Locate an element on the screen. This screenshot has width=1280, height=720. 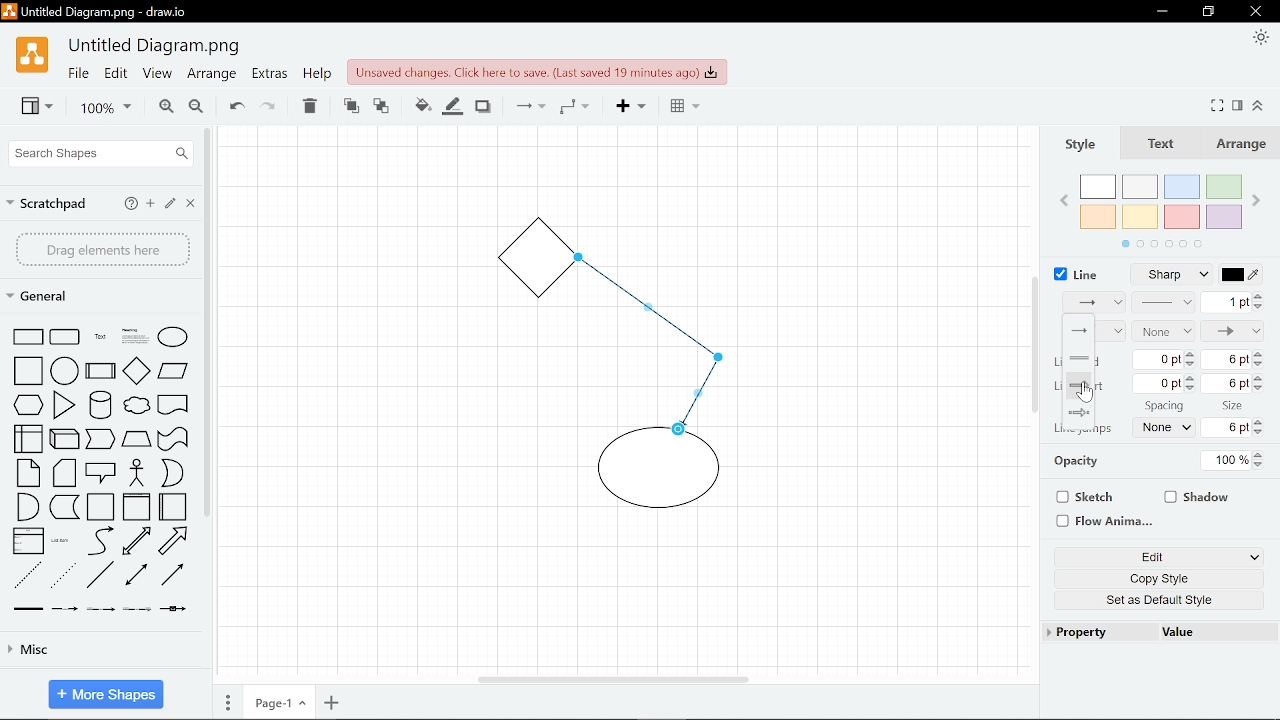
+ is located at coordinates (332, 704).